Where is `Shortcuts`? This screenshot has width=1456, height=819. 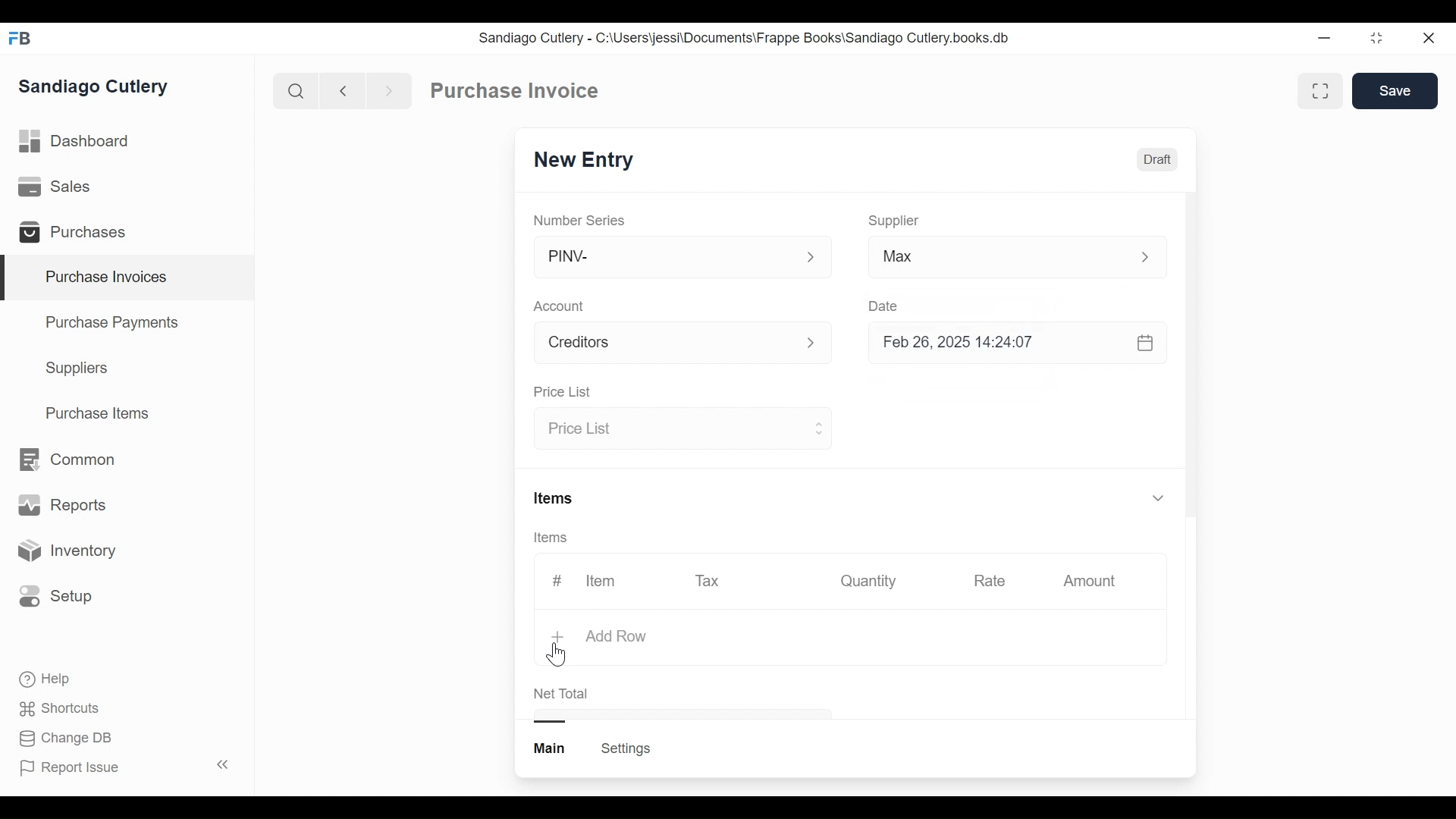
Shortcuts is located at coordinates (61, 708).